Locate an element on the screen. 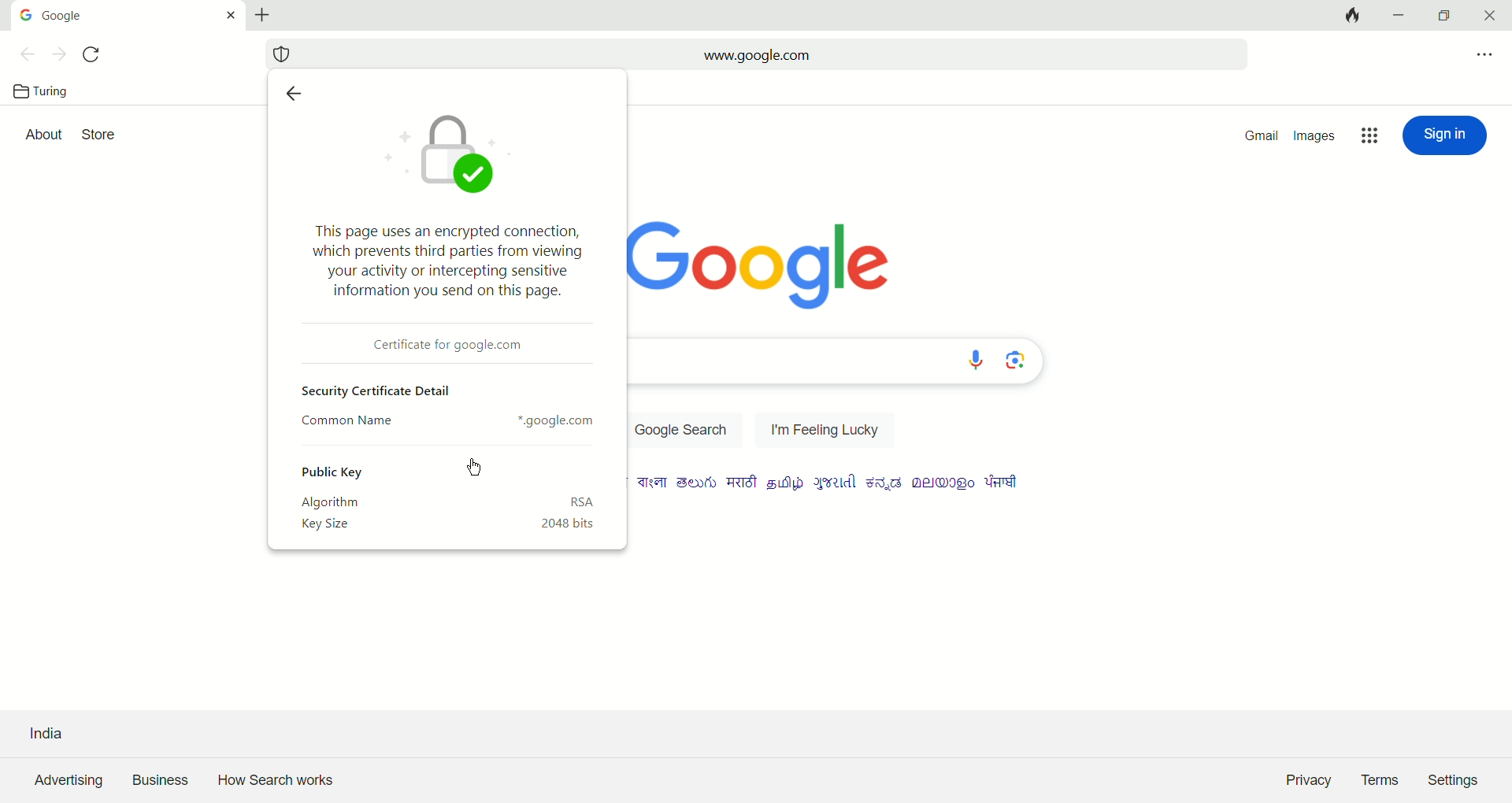  security is located at coordinates (280, 55).